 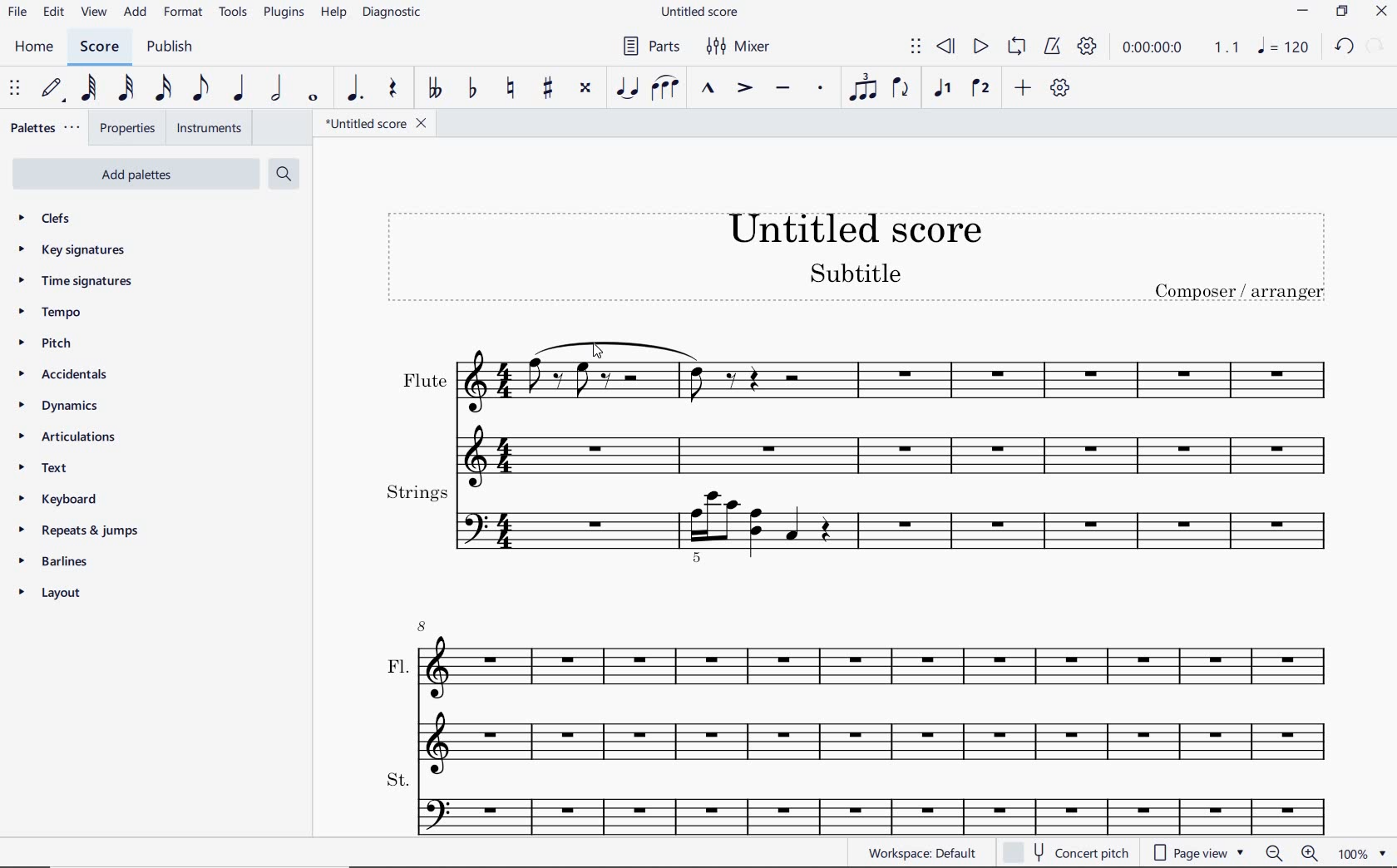 I want to click on mixer, so click(x=744, y=47).